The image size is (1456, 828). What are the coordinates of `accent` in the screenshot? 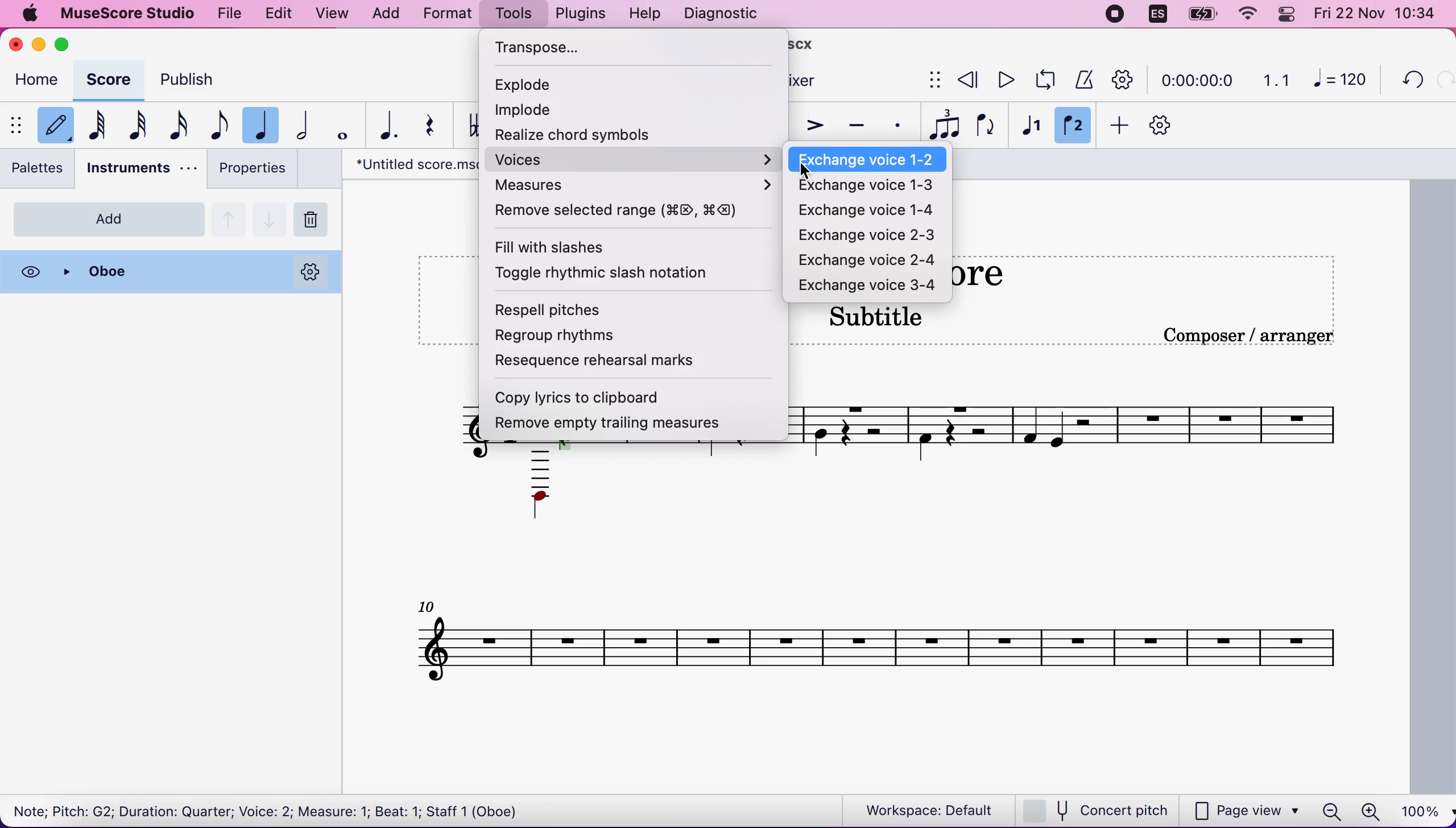 It's located at (816, 127).